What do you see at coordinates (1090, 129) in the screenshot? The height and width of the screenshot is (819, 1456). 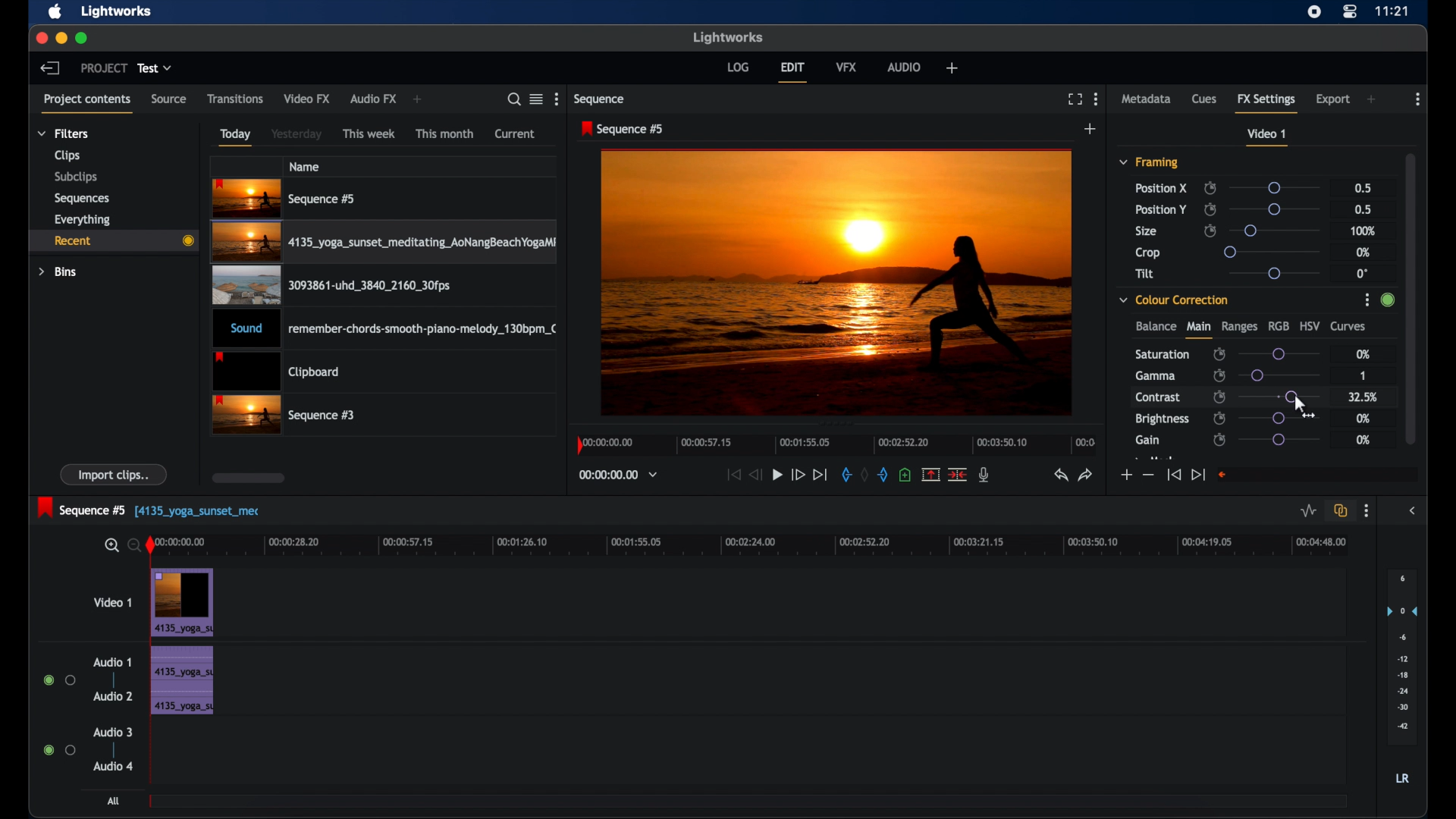 I see `add` at bounding box center [1090, 129].